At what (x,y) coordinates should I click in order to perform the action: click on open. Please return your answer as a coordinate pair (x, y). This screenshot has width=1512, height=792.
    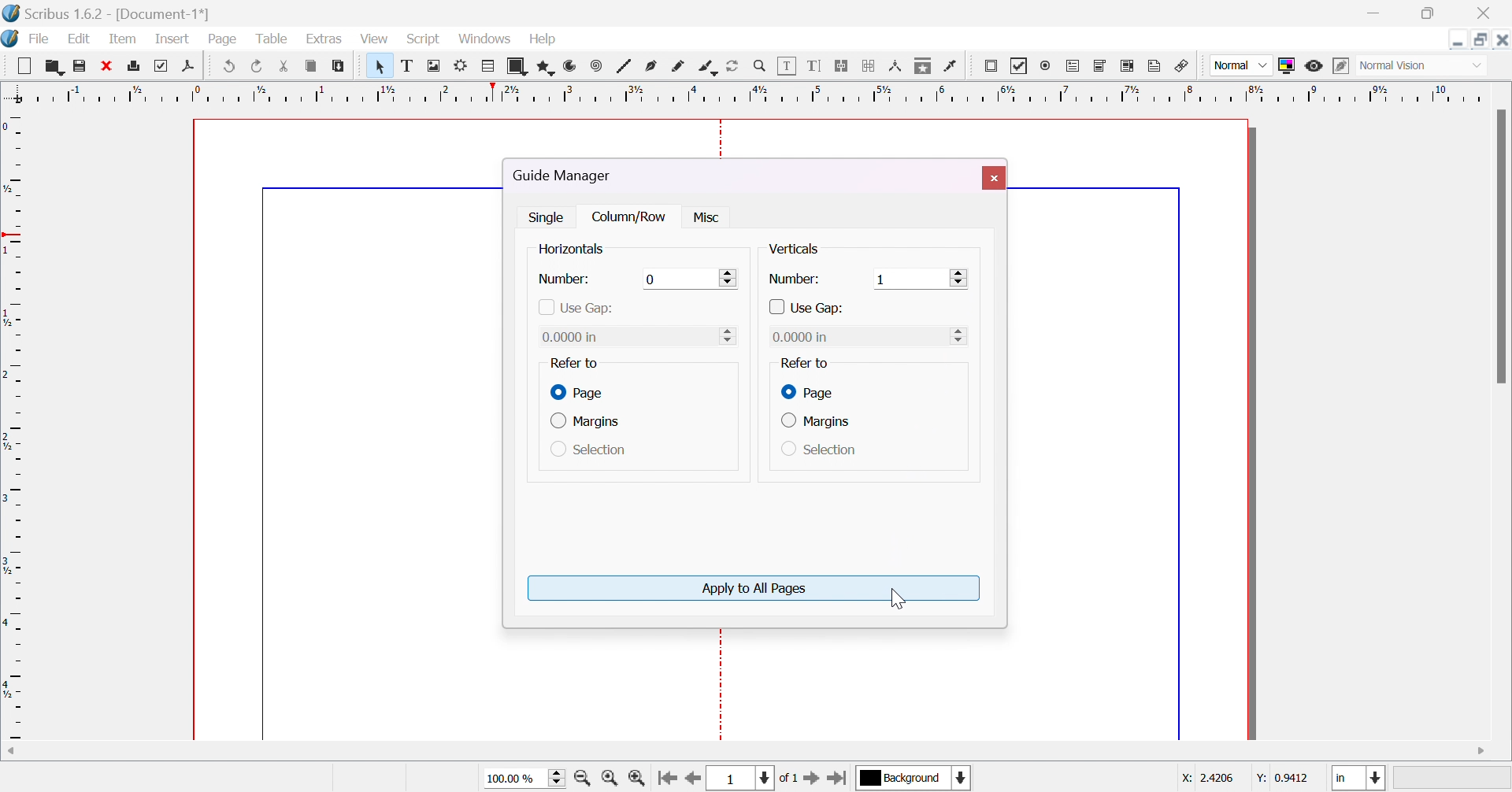
    Looking at the image, I should click on (53, 65).